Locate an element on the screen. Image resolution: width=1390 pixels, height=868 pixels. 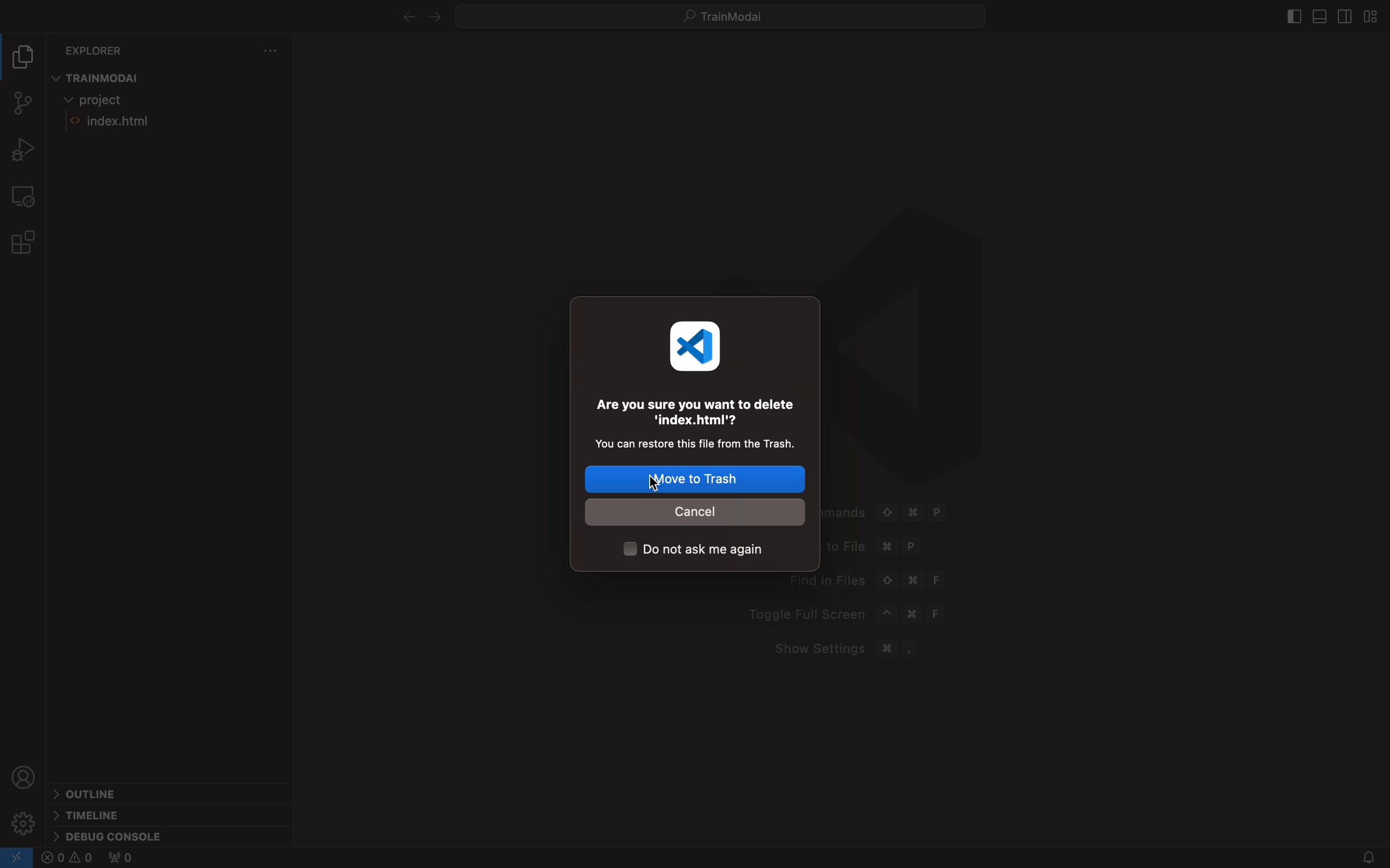
cursor is located at coordinates (657, 486).